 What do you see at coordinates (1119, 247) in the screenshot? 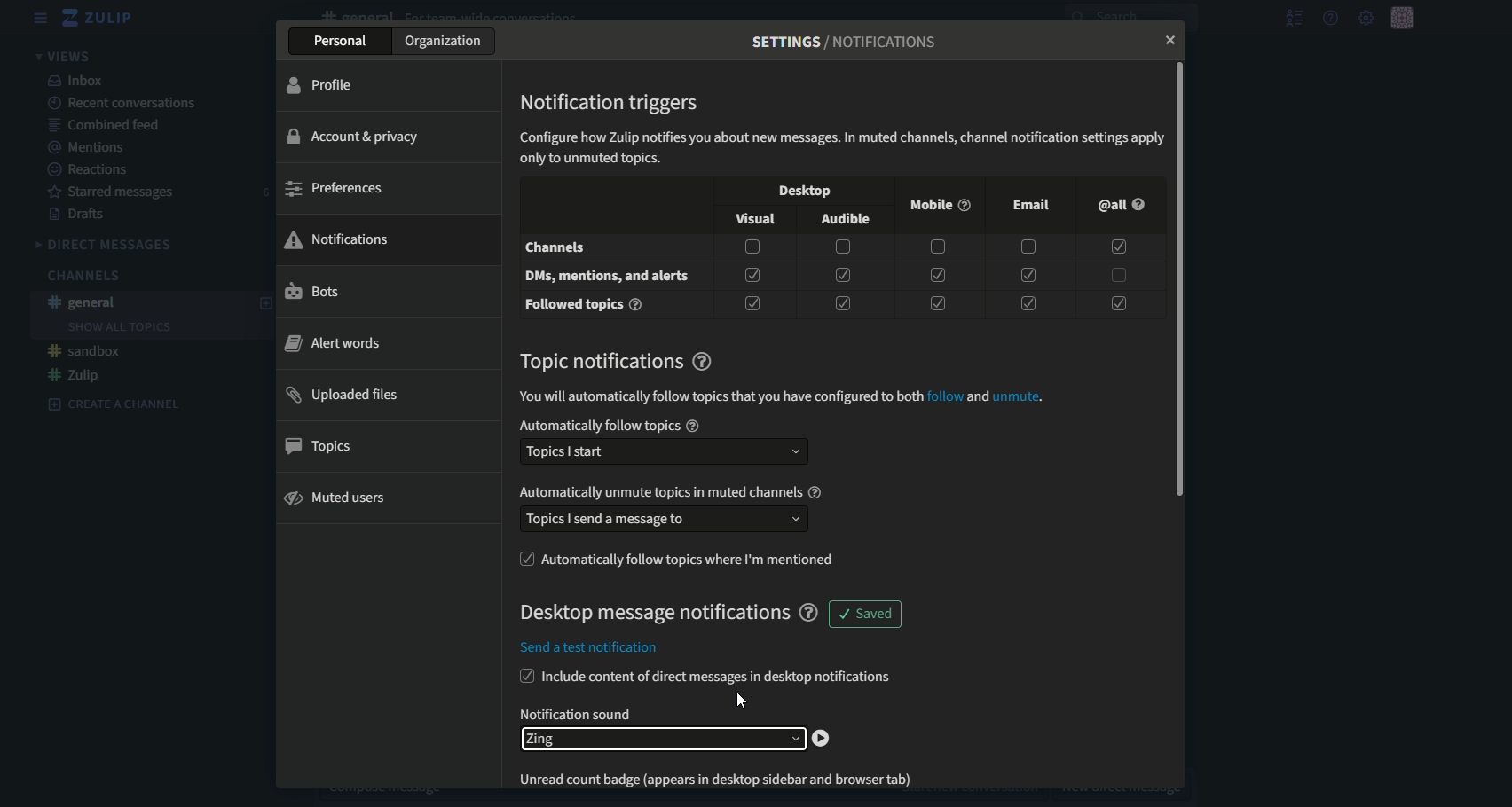
I see `checkbox` at bounding box center [1119, 247].